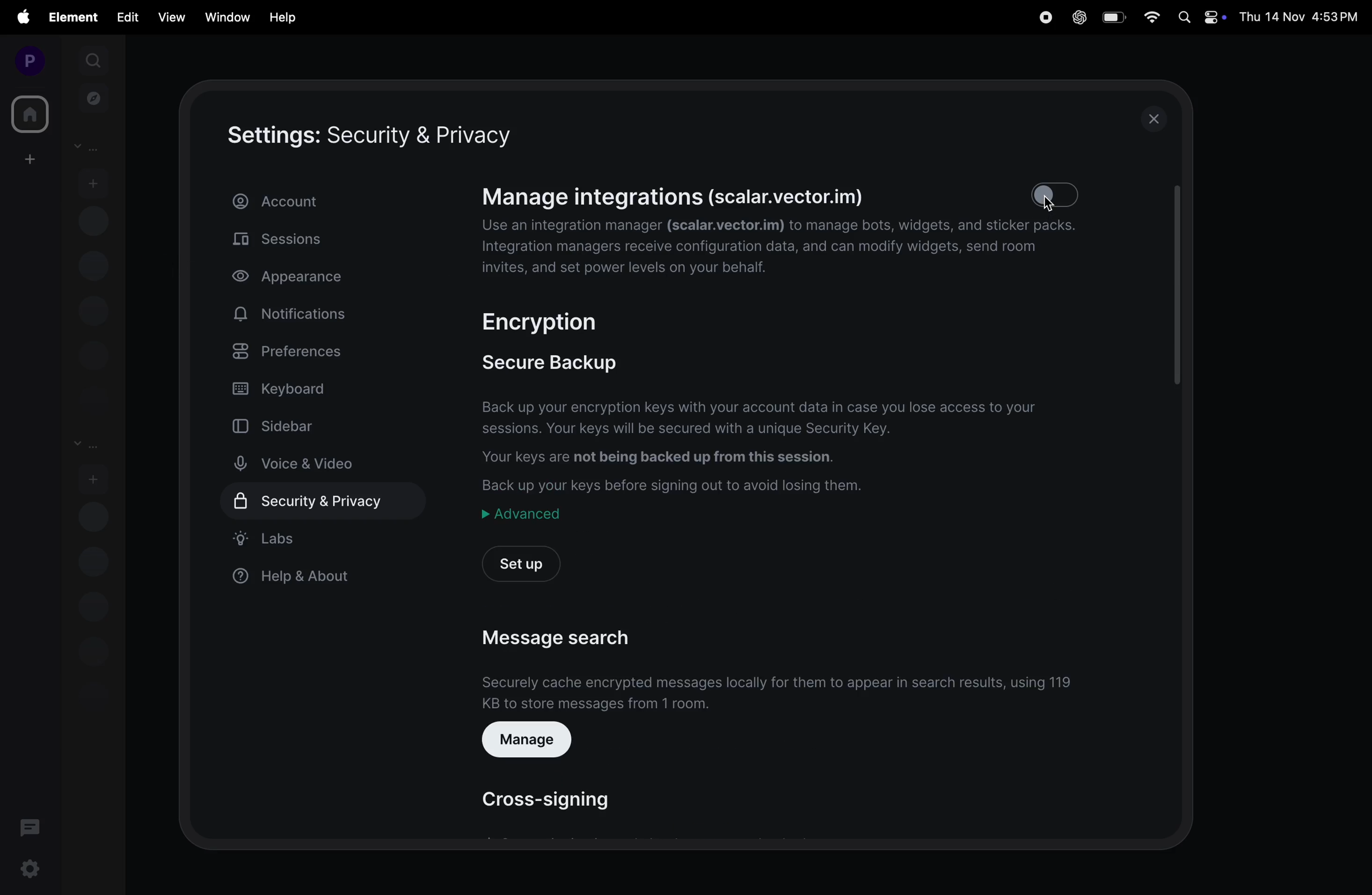  I want to click on account, so click(276, 205).